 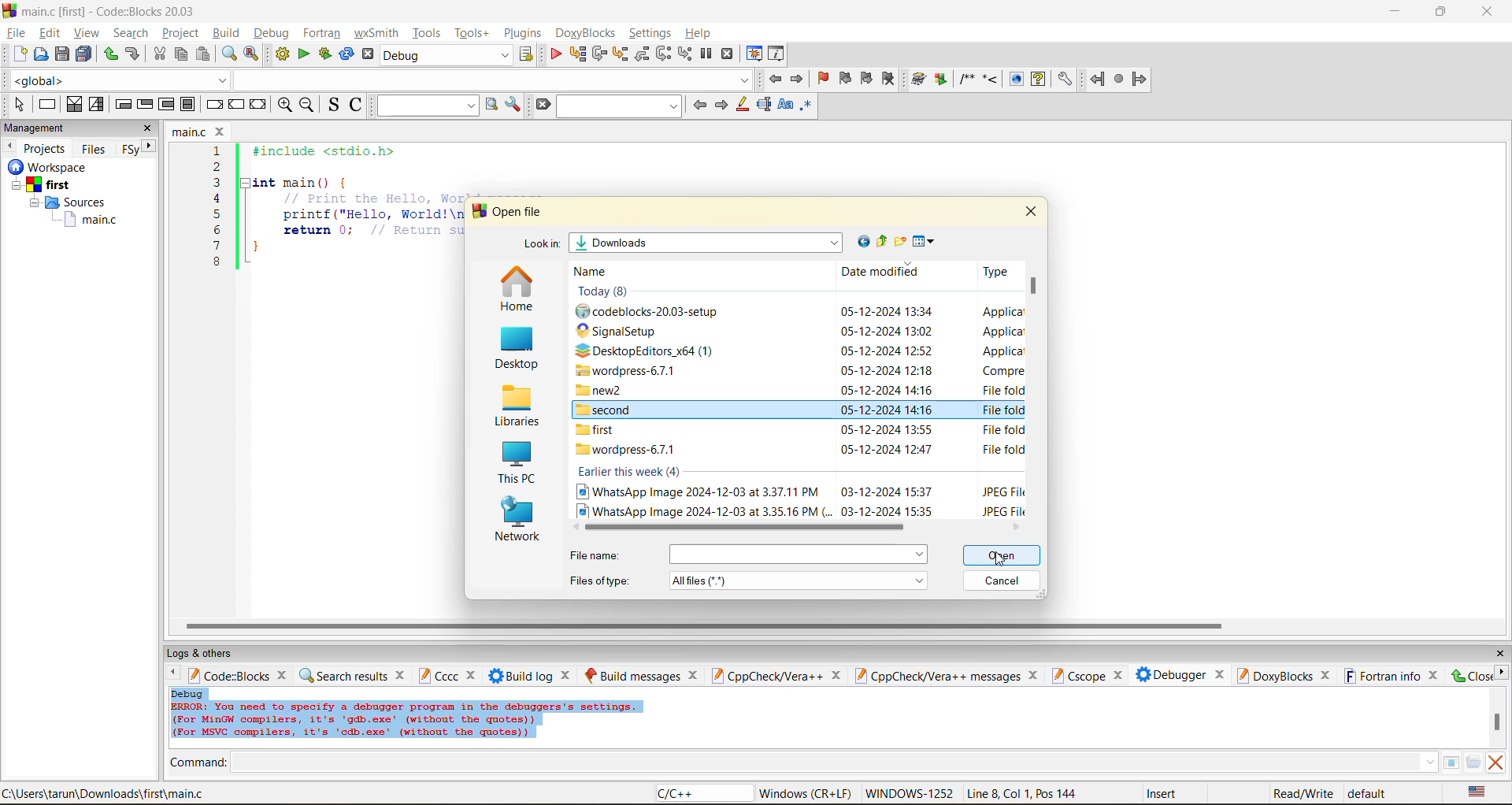 What do you see at coordinates (1478, 792) in the screenshot?
I see `text language` at bounding box center [1478, 792].